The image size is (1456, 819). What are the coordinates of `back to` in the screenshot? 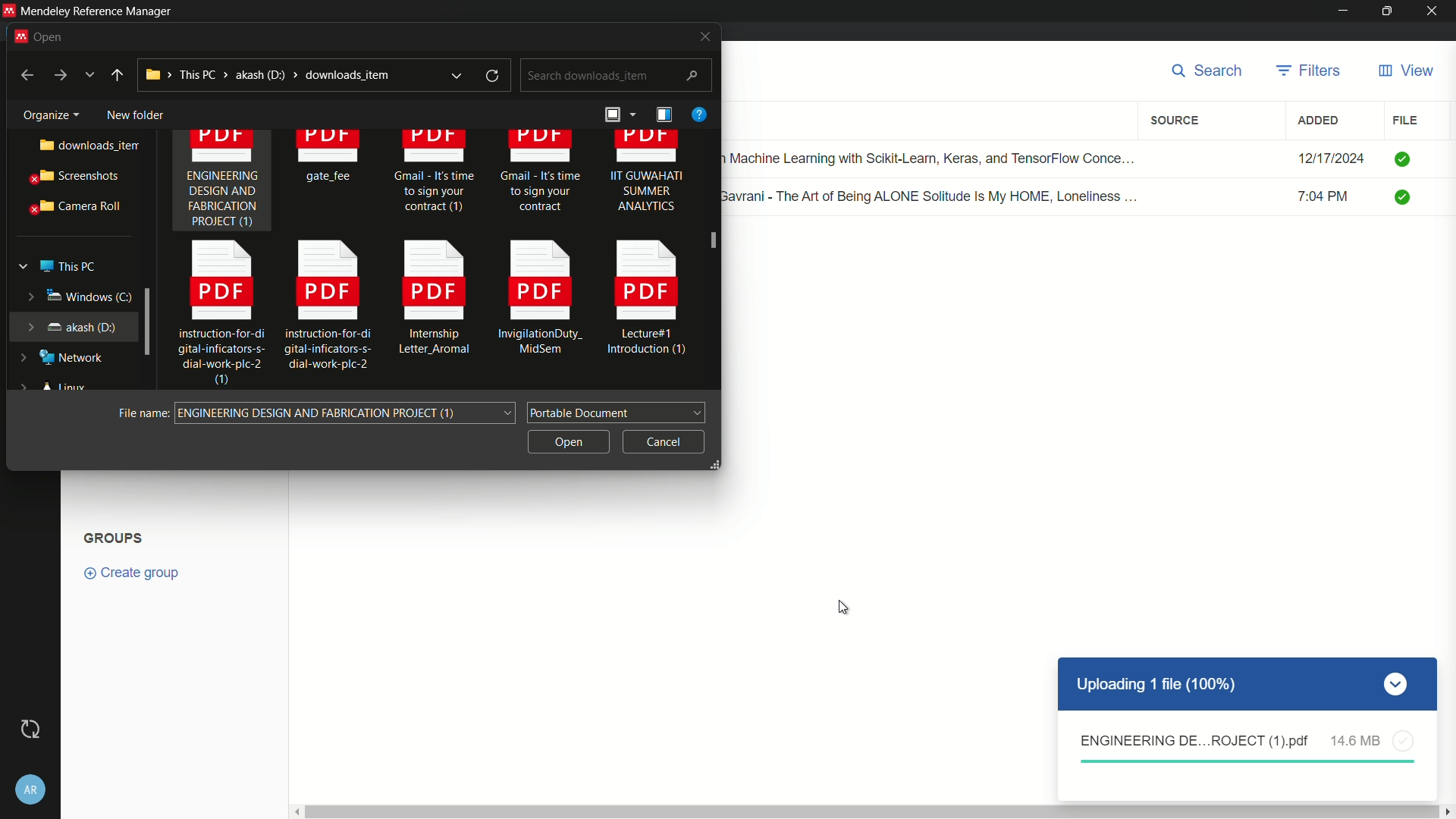 It's located at (22, 74).